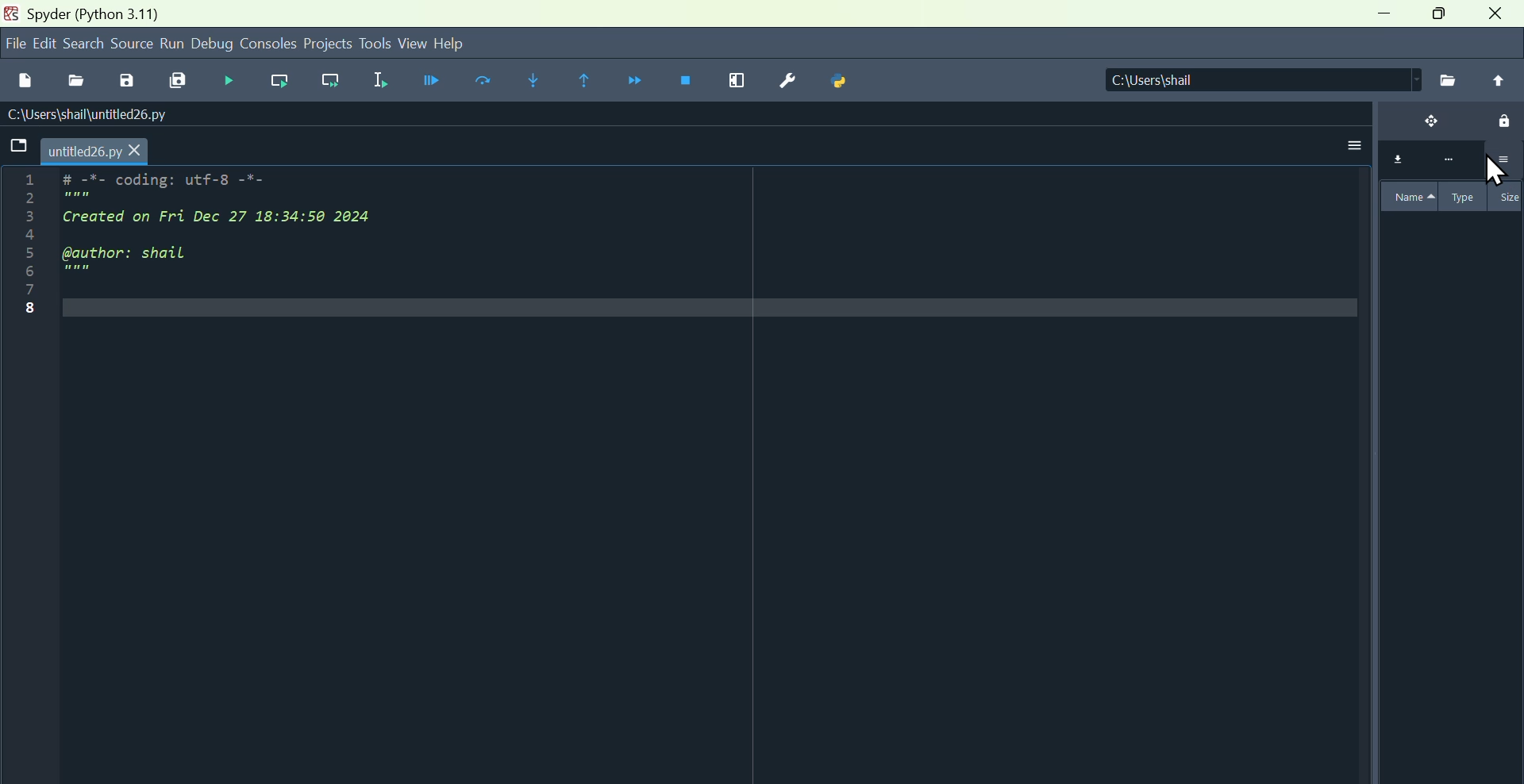 The height and width of the screenshot is (784, 1524). Describe the element at coordinates (1499, 80) in the screenshot. I see `upload` at that location.